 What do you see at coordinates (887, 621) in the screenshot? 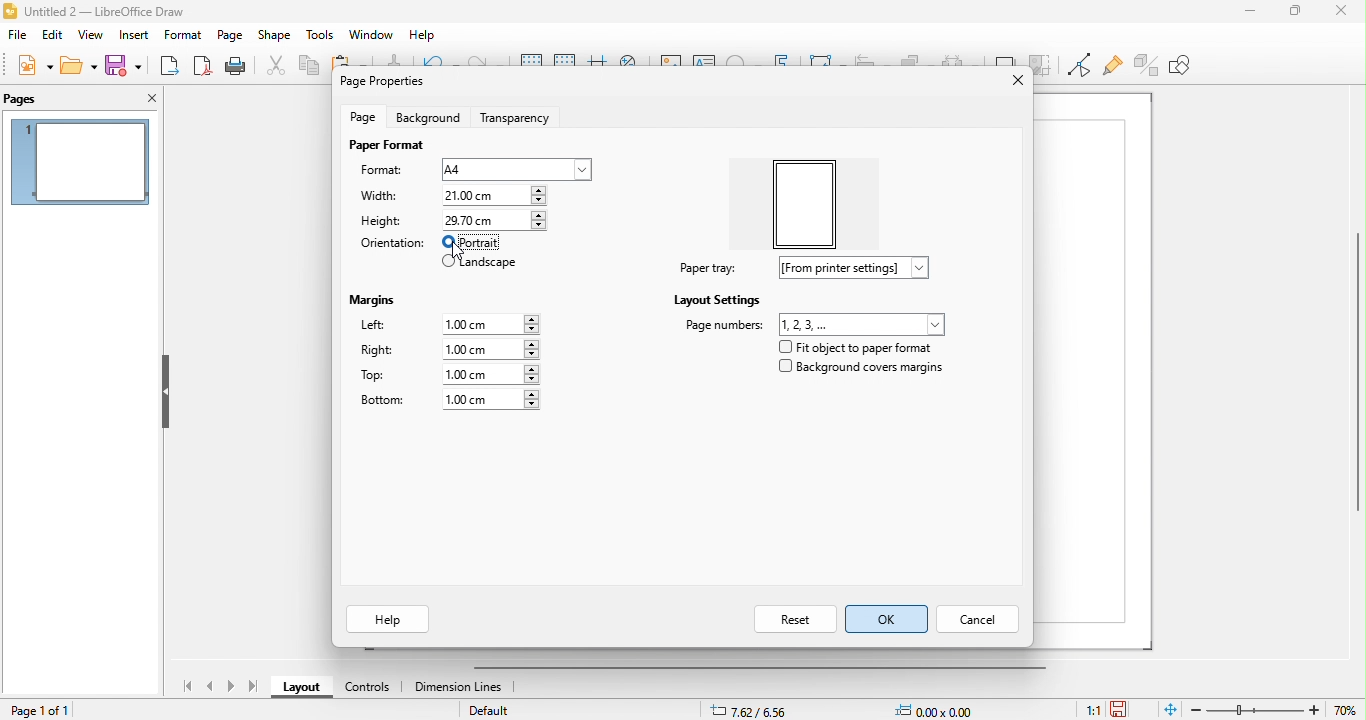
I see `ok` at bounding box center [887, 621].